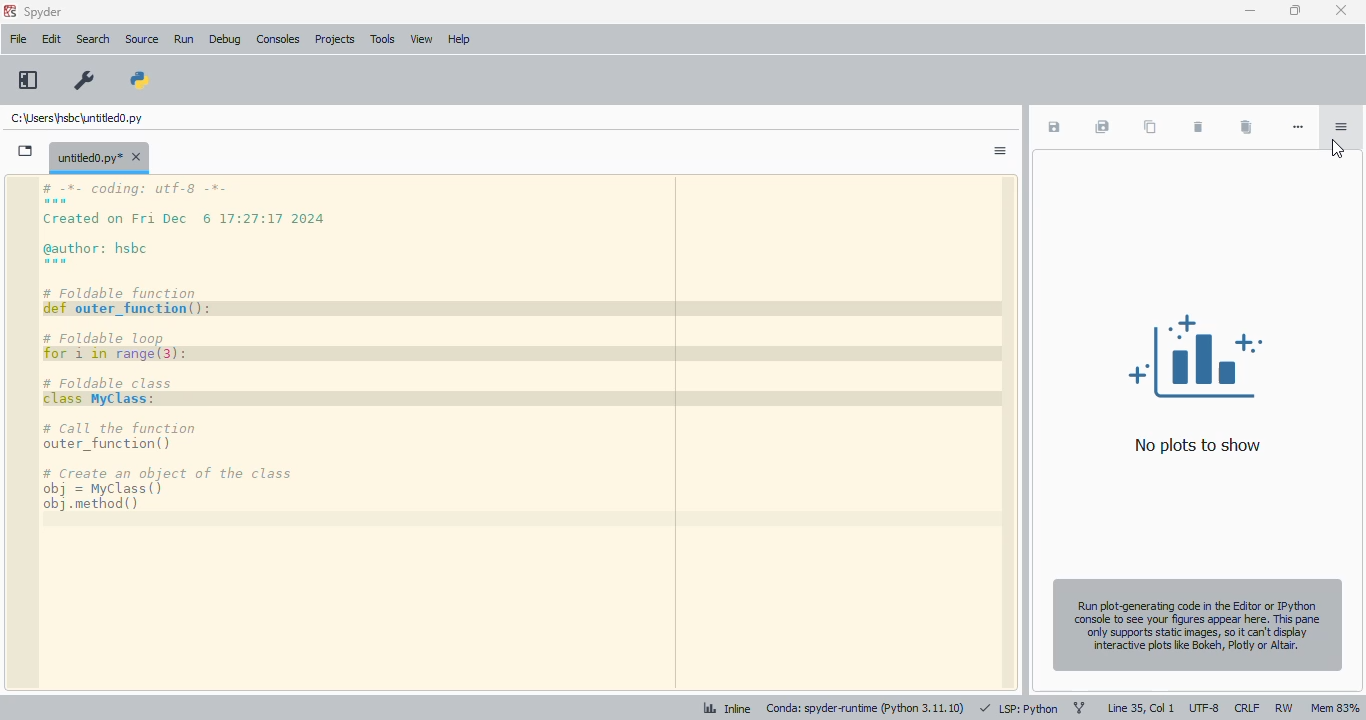  I want to click on LSP: python, so click(1020, 708).